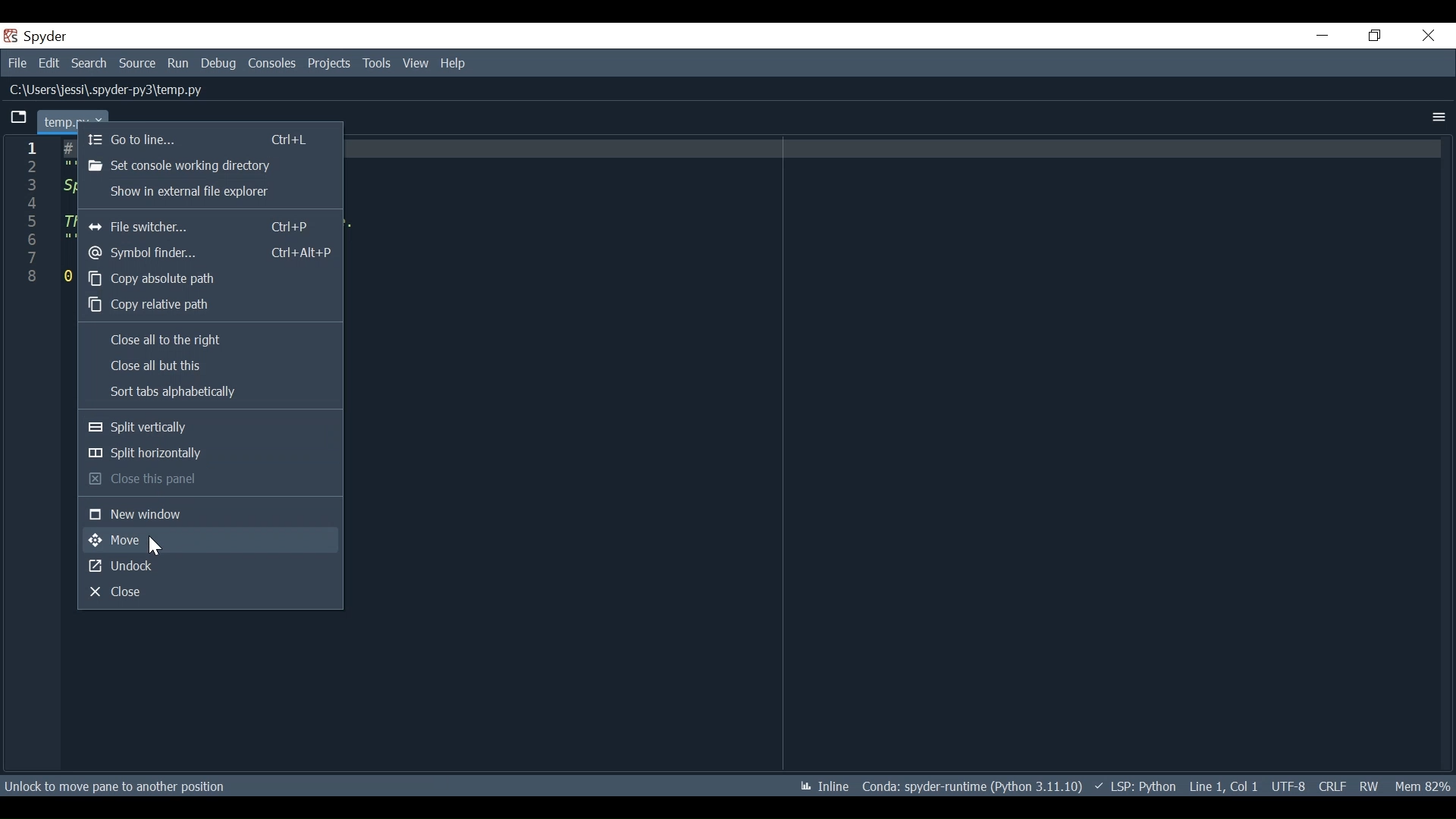  I want to click on Debug, so click(220, 64).